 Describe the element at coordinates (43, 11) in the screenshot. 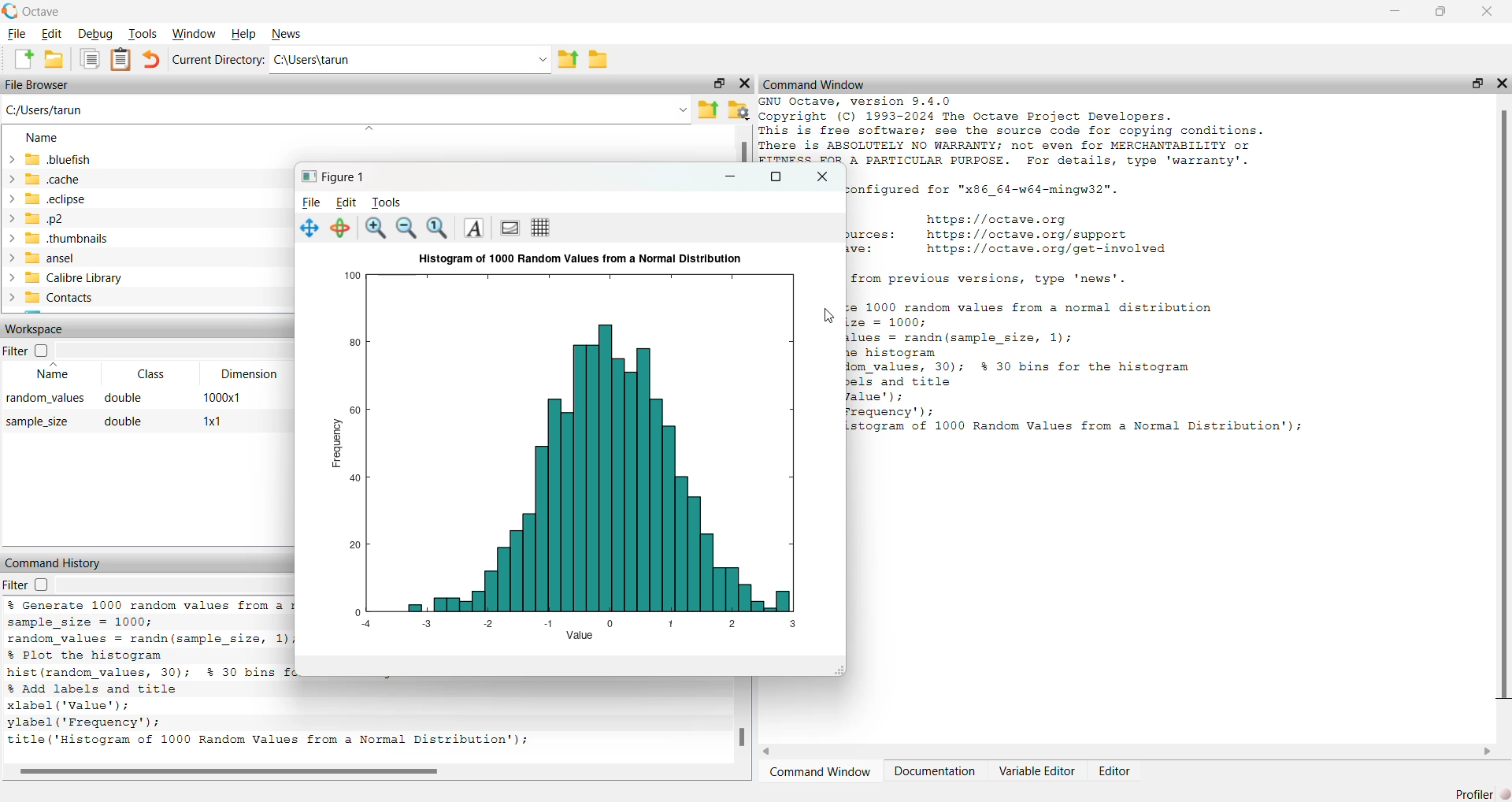

I see `Octave` at that location.